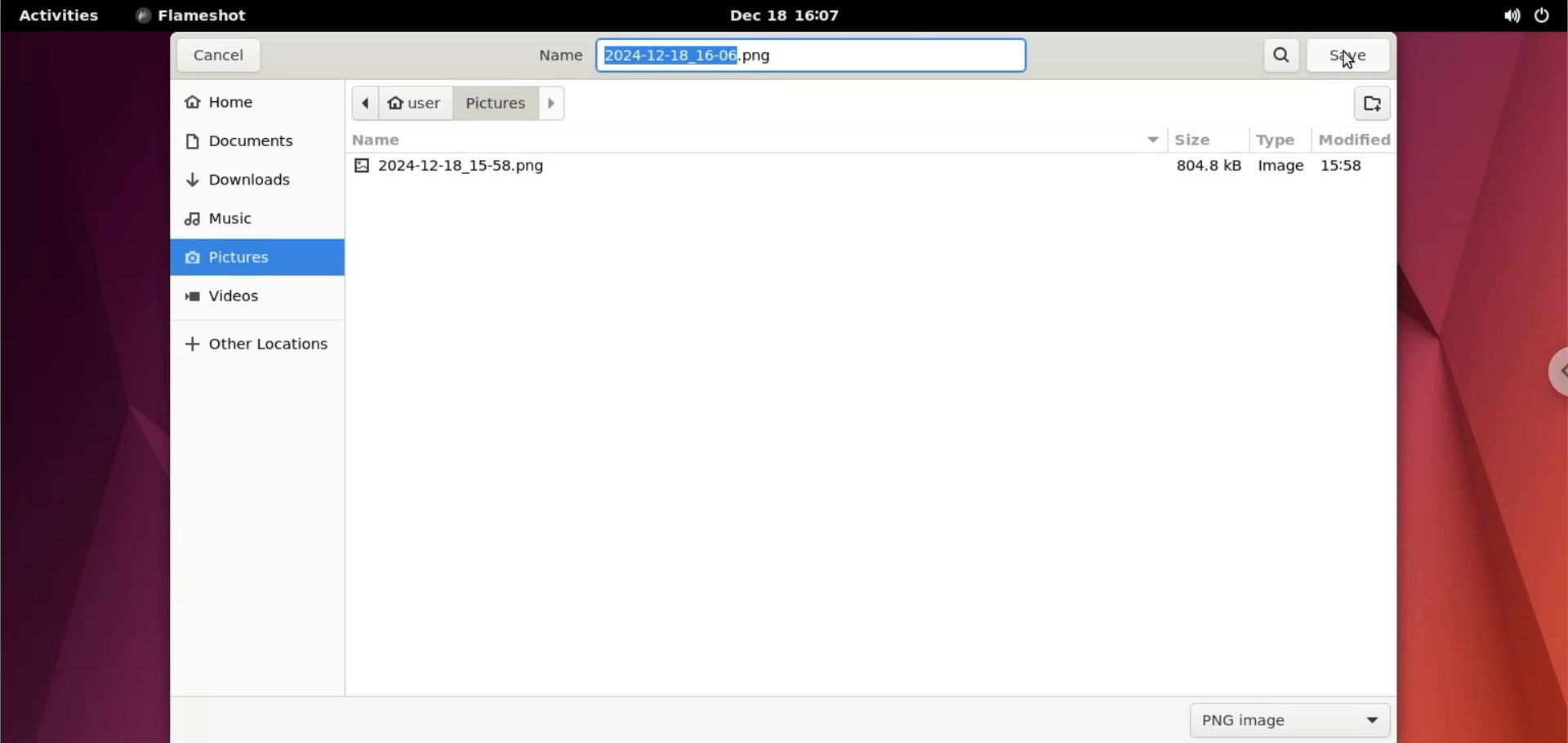 Image resolution: width=1568 pixels, height=743 pixels. I want to click on file name, so click(458, 167).